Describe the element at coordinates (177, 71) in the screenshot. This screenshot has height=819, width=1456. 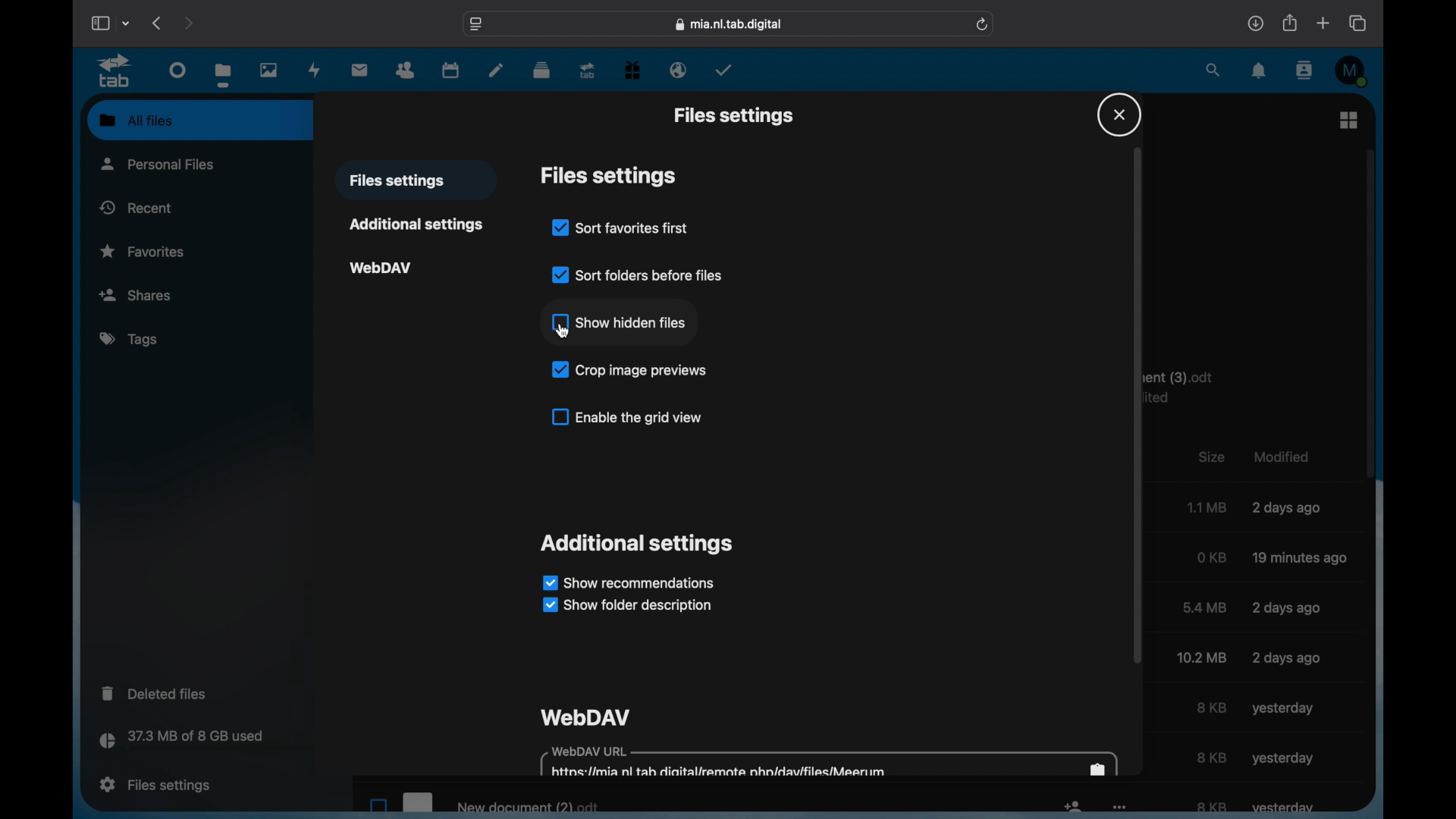
I see `dashboard` at that location.